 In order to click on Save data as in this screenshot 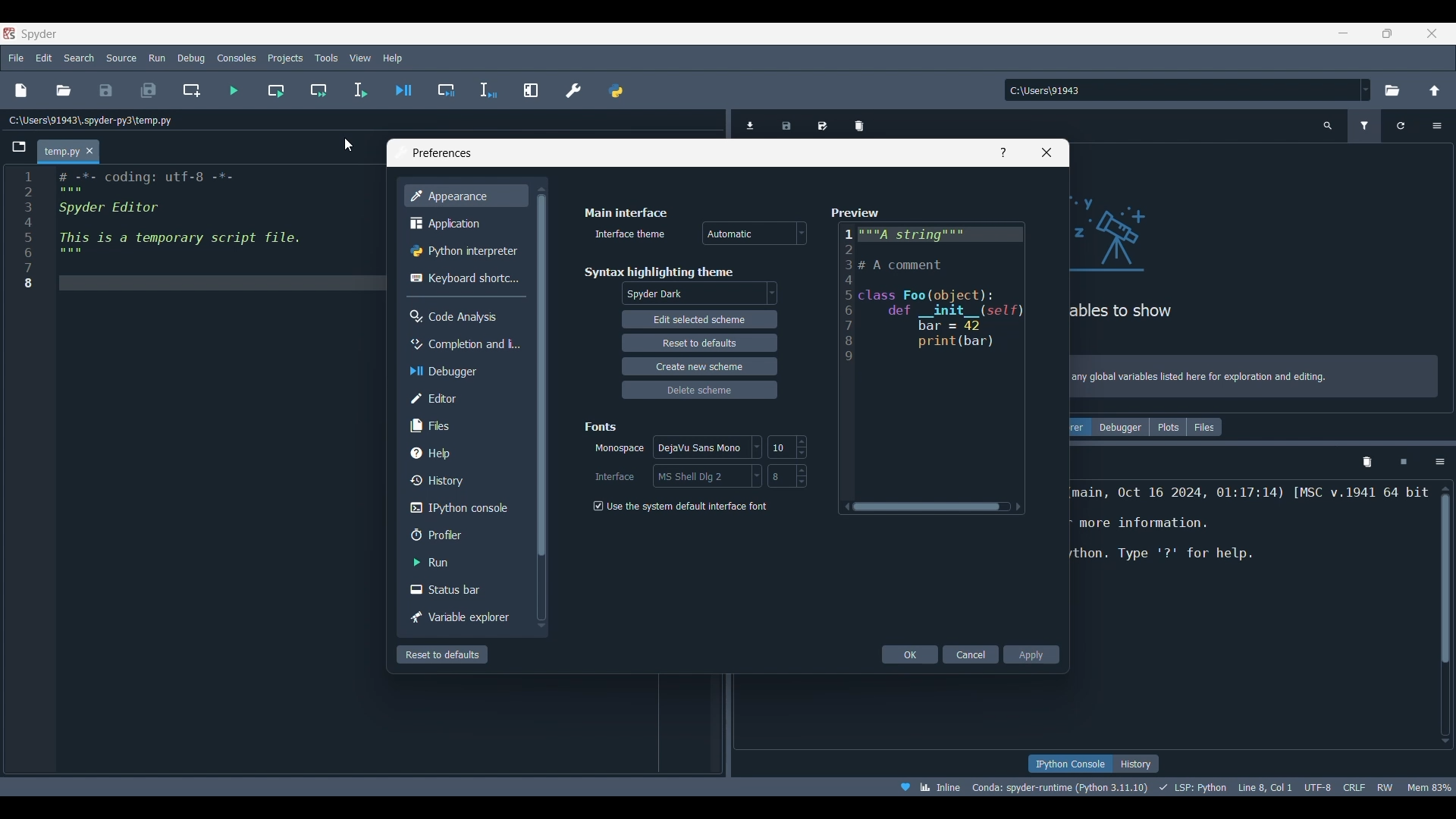, I will do `click(822, 126)`.